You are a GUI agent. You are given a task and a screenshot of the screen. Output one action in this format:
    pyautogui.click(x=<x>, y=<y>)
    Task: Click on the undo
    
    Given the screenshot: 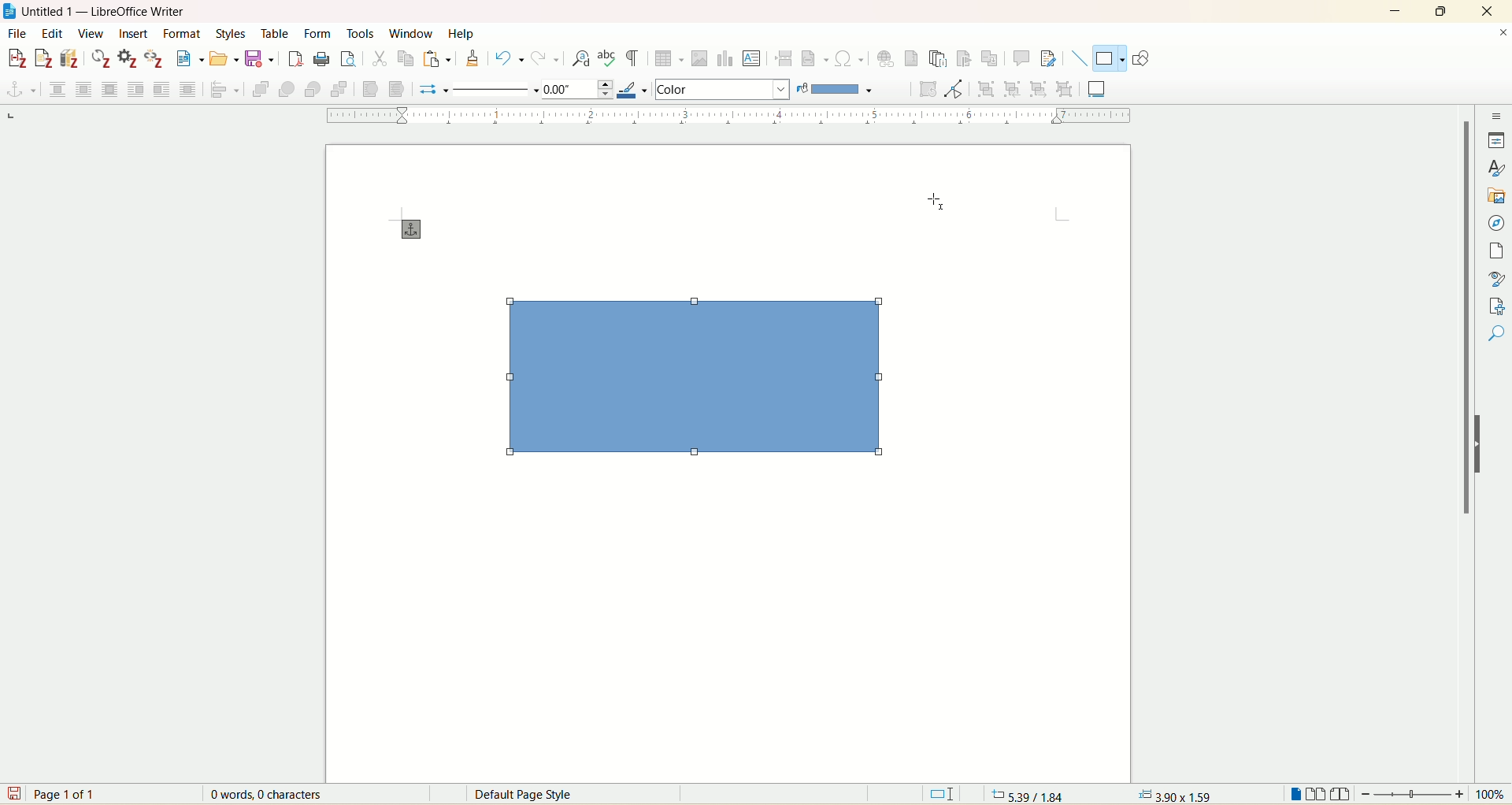 What is the action you would take?
    pyautogui.click(x=510, y=58)
    